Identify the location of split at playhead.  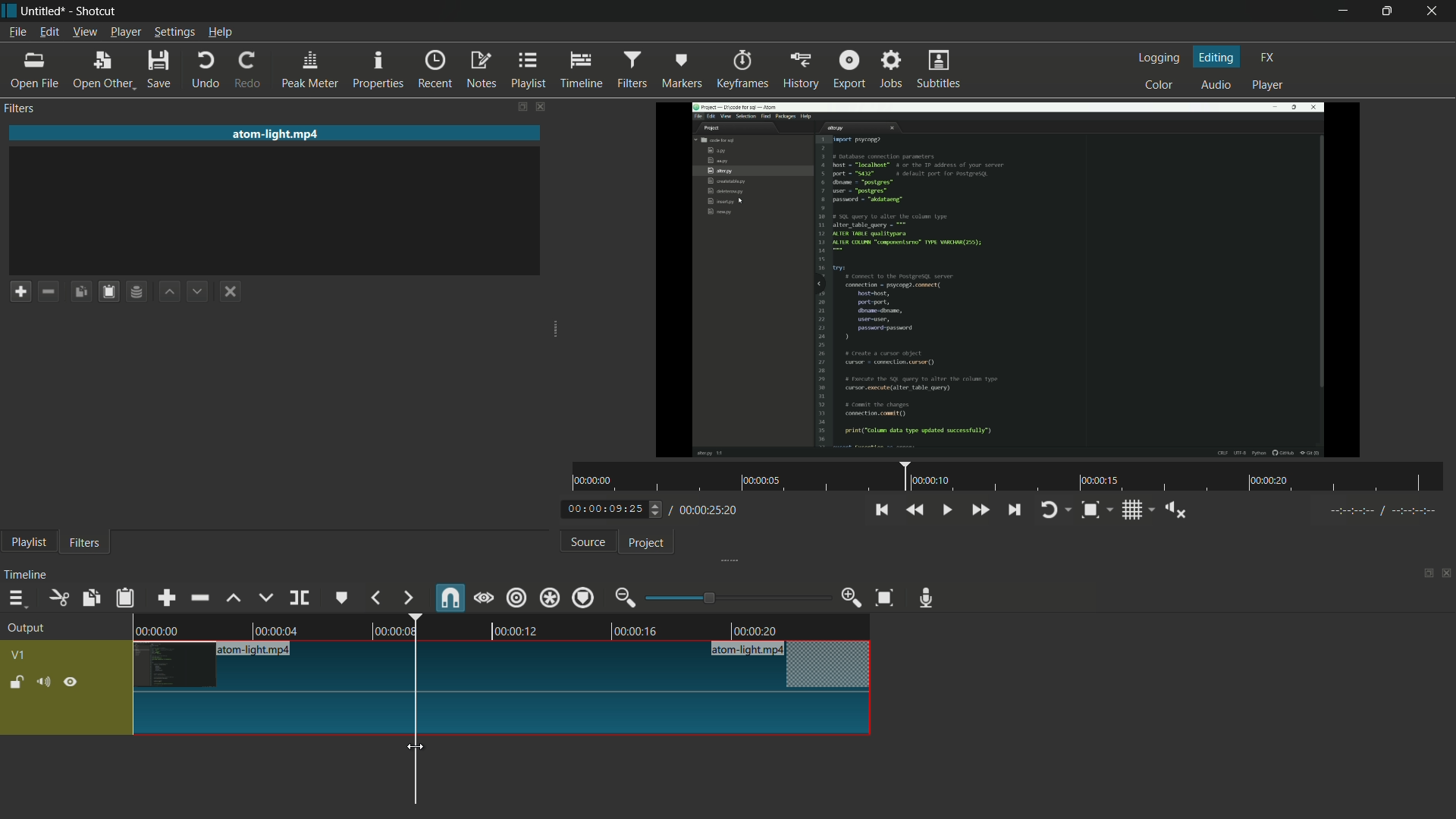
(300, 598).